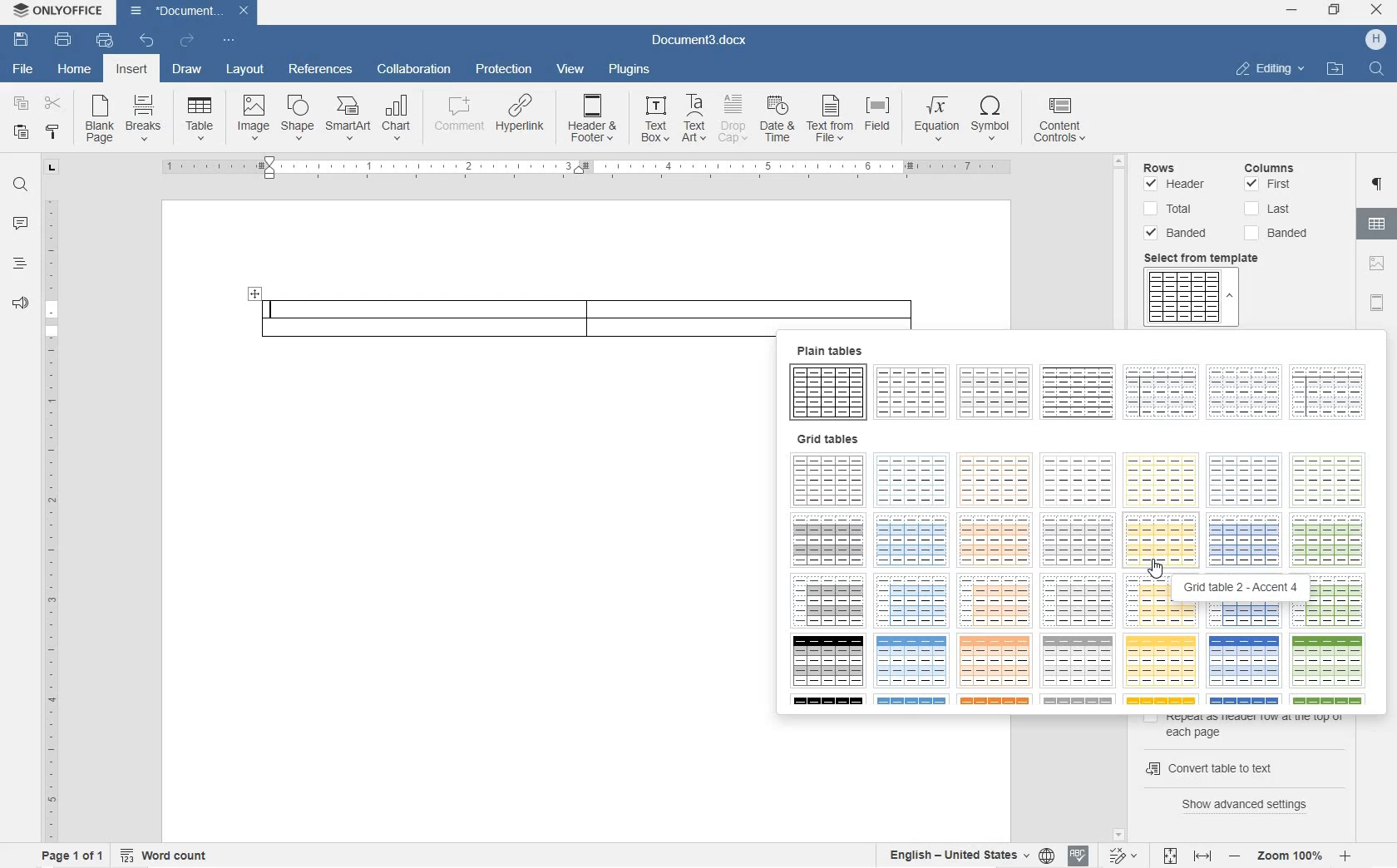 The width and height of the screenshot is (1397, 868). I want to click on Blank Page, so click(100, 120).